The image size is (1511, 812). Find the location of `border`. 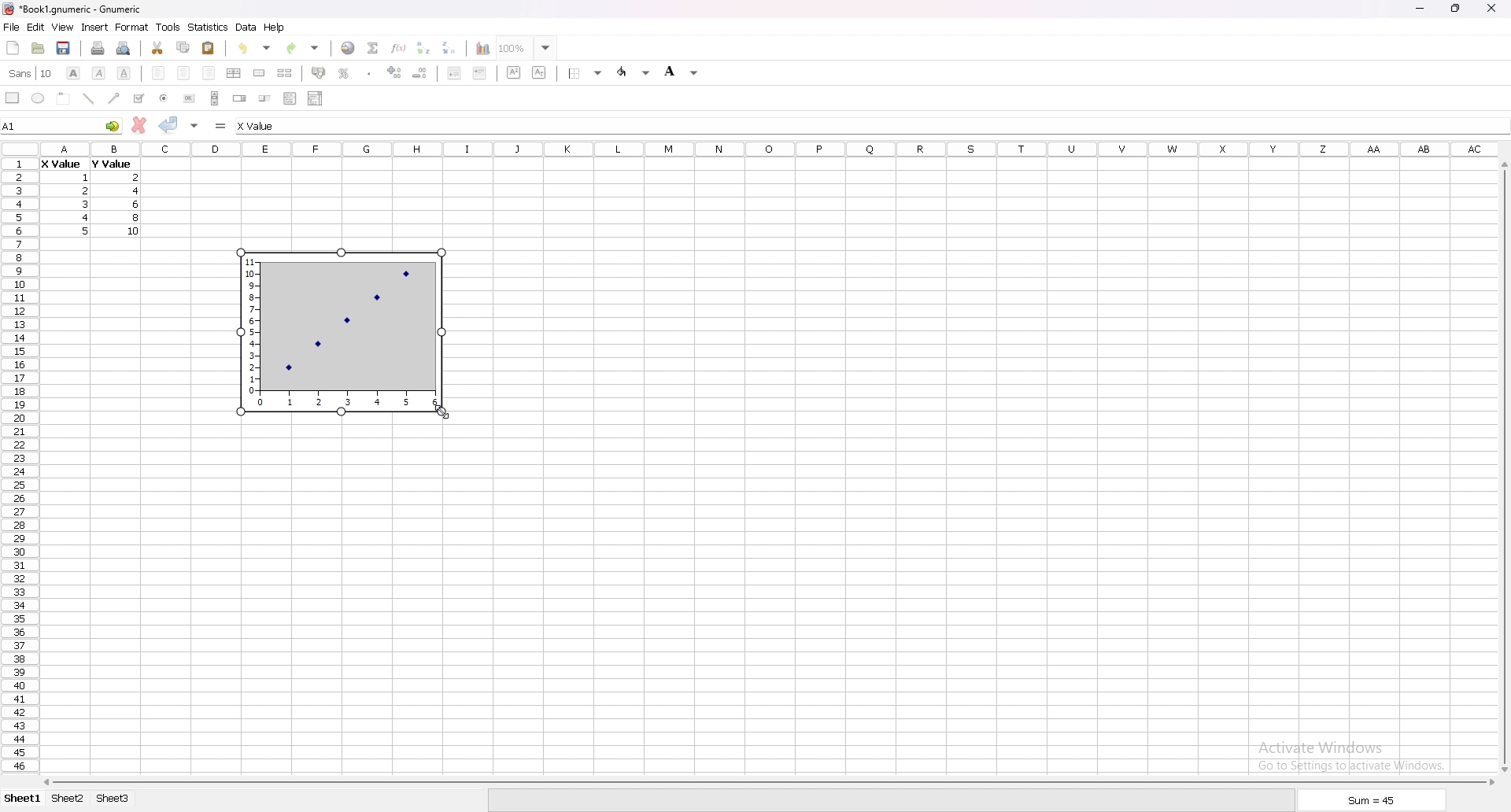

border is located at coordinates (587, 72).